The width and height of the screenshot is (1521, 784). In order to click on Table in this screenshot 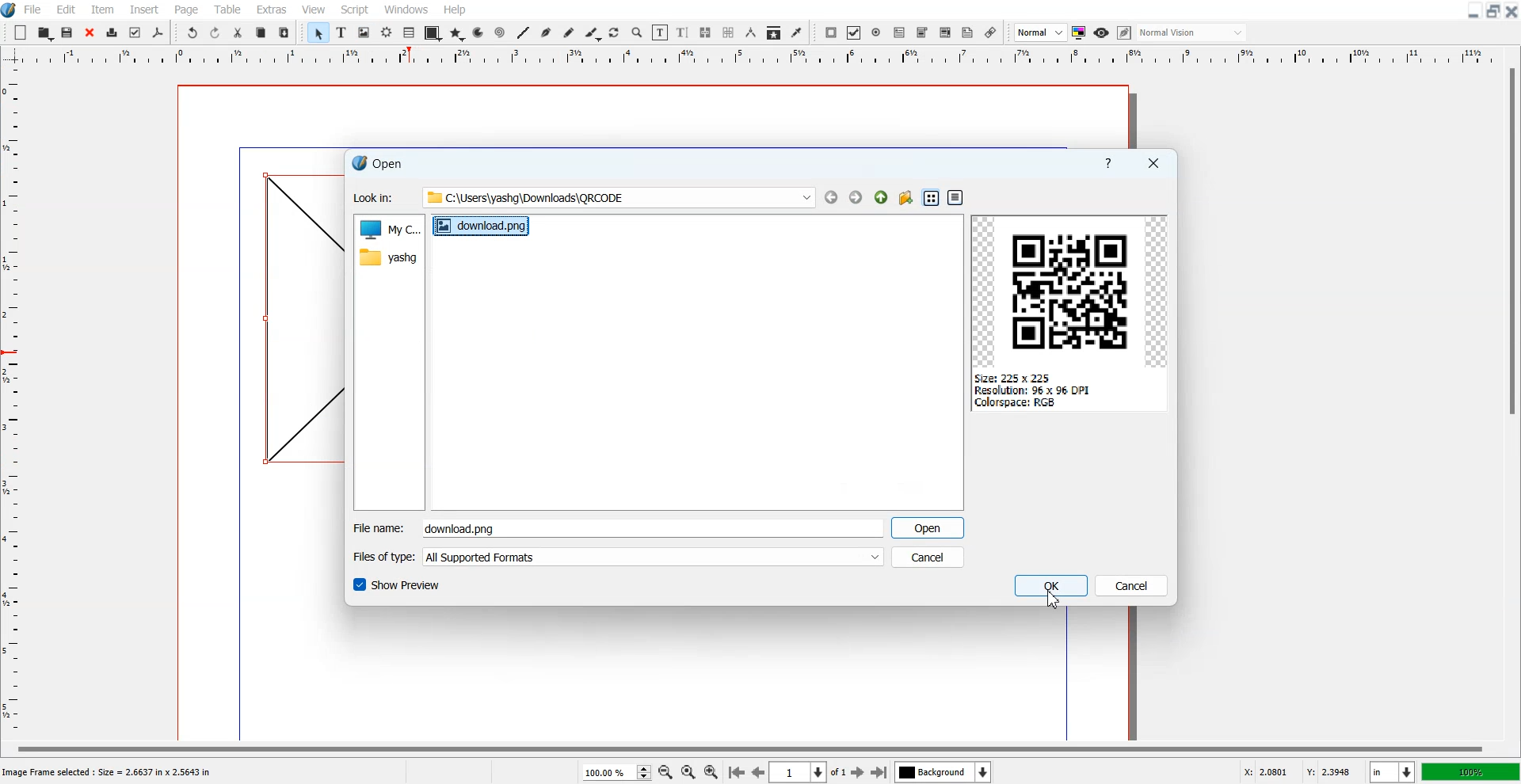, I will do `click(227, 9)`.